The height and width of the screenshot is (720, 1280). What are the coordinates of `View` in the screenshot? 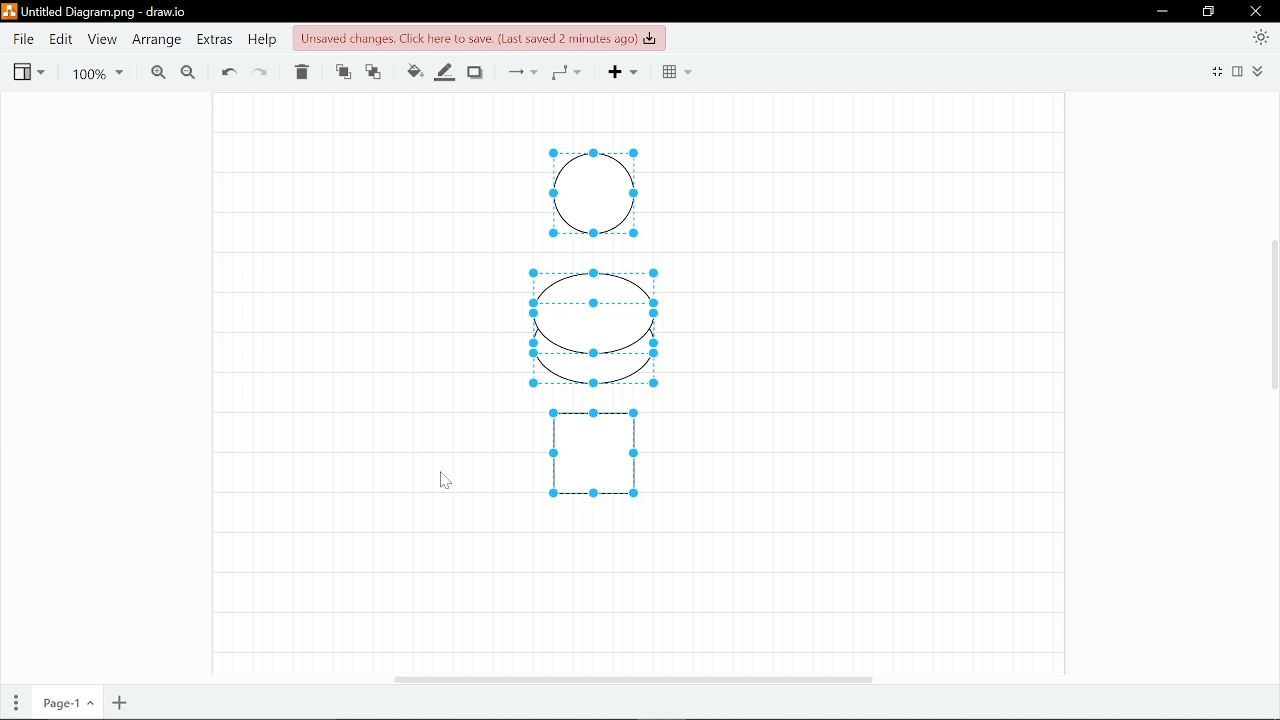 It's located at (27, 73).